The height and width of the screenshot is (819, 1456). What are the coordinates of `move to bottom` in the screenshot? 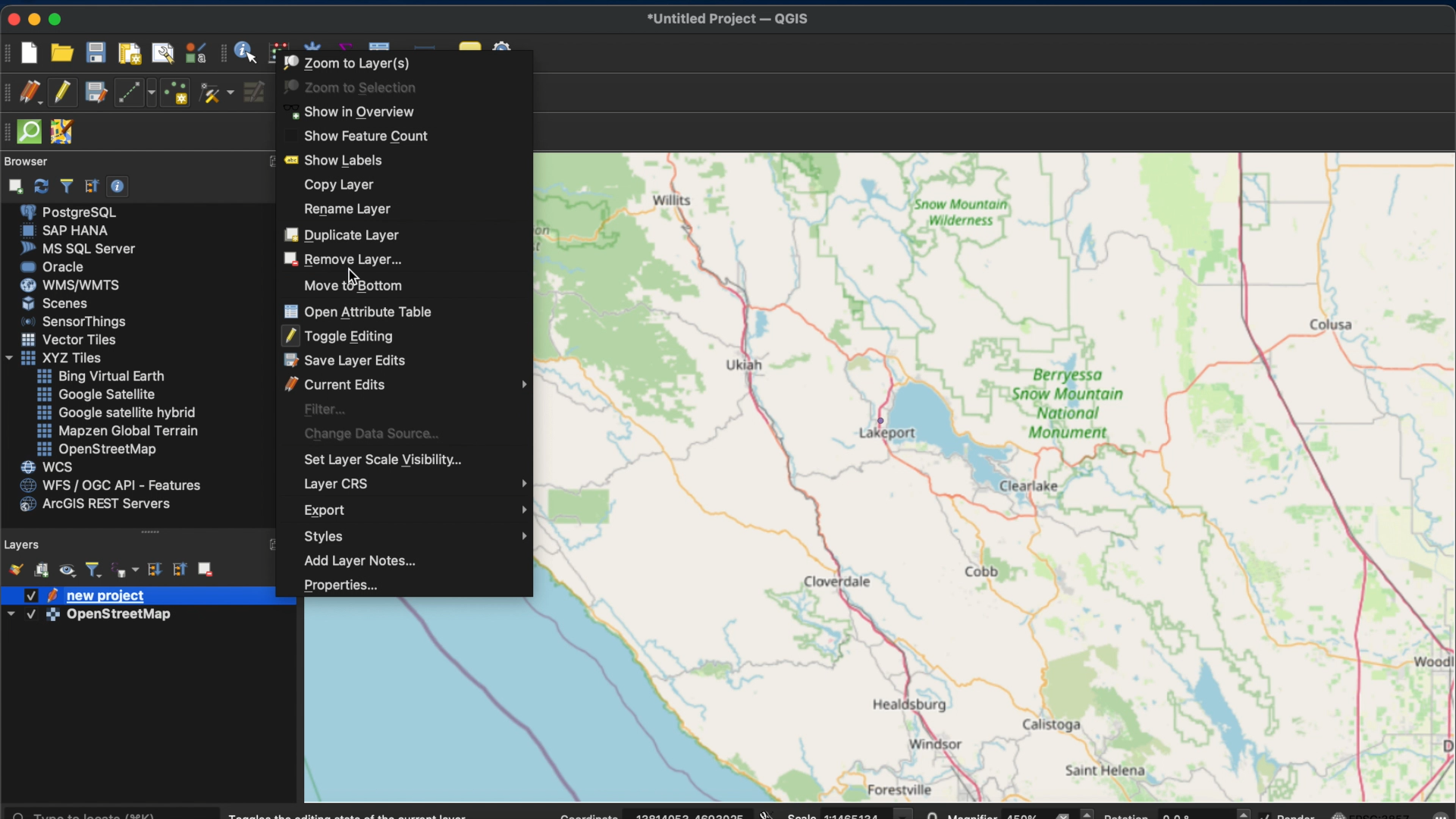 It's located at (350, 285).